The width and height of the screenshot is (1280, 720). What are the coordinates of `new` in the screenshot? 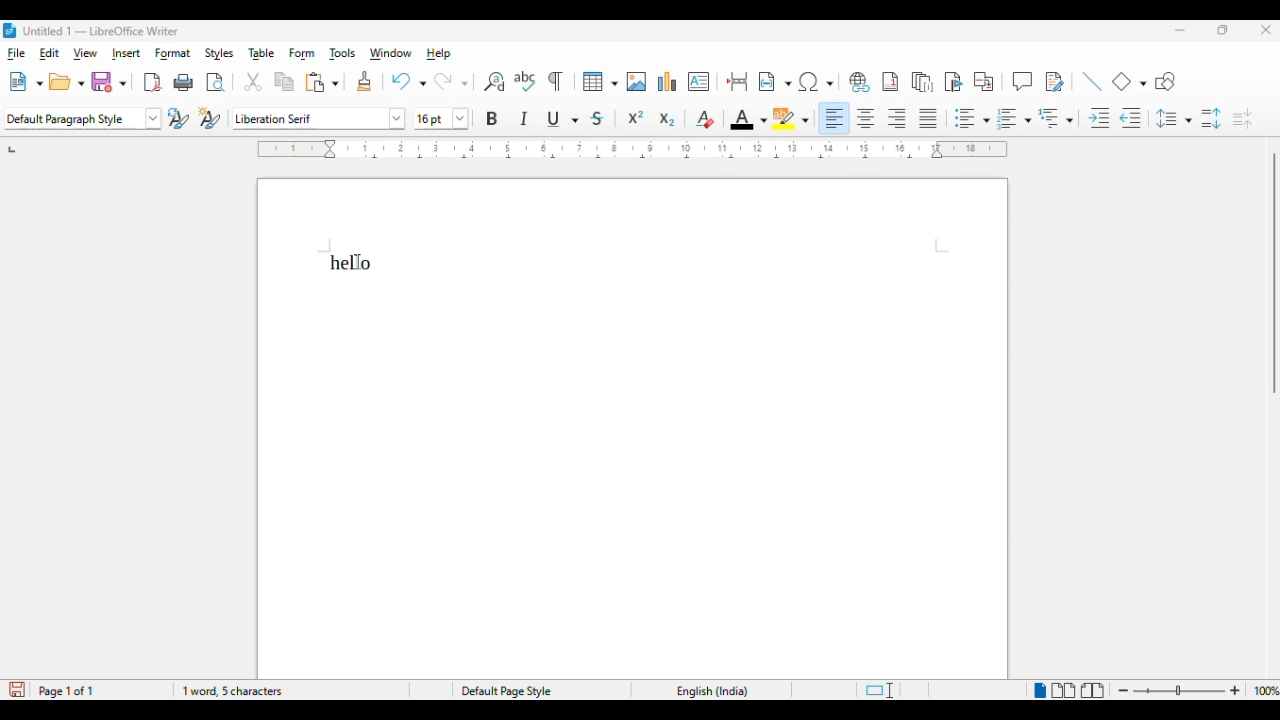 It's located at (25, 83).